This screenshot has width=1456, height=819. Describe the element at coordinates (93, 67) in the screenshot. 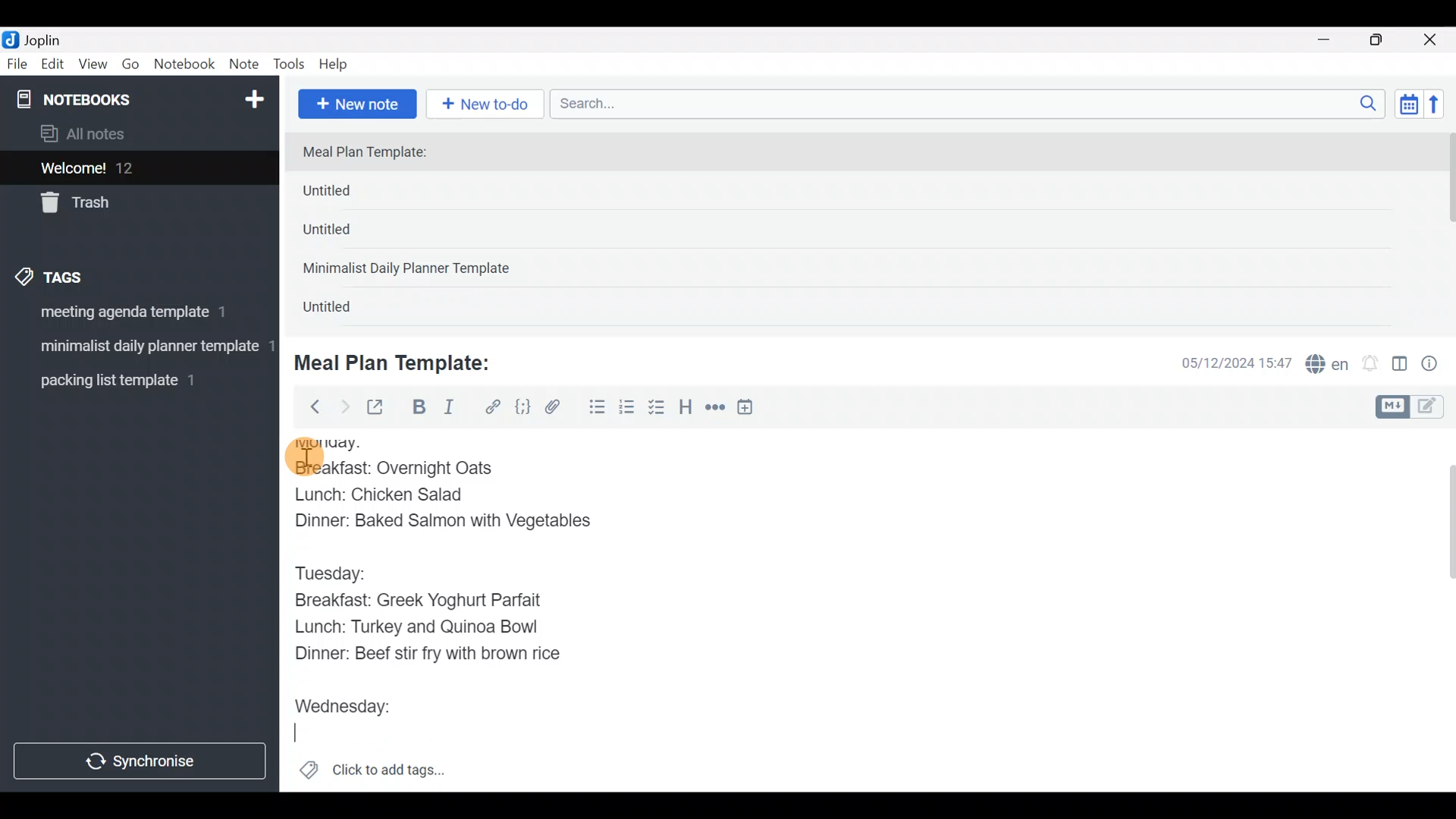

I see `View` at that location.